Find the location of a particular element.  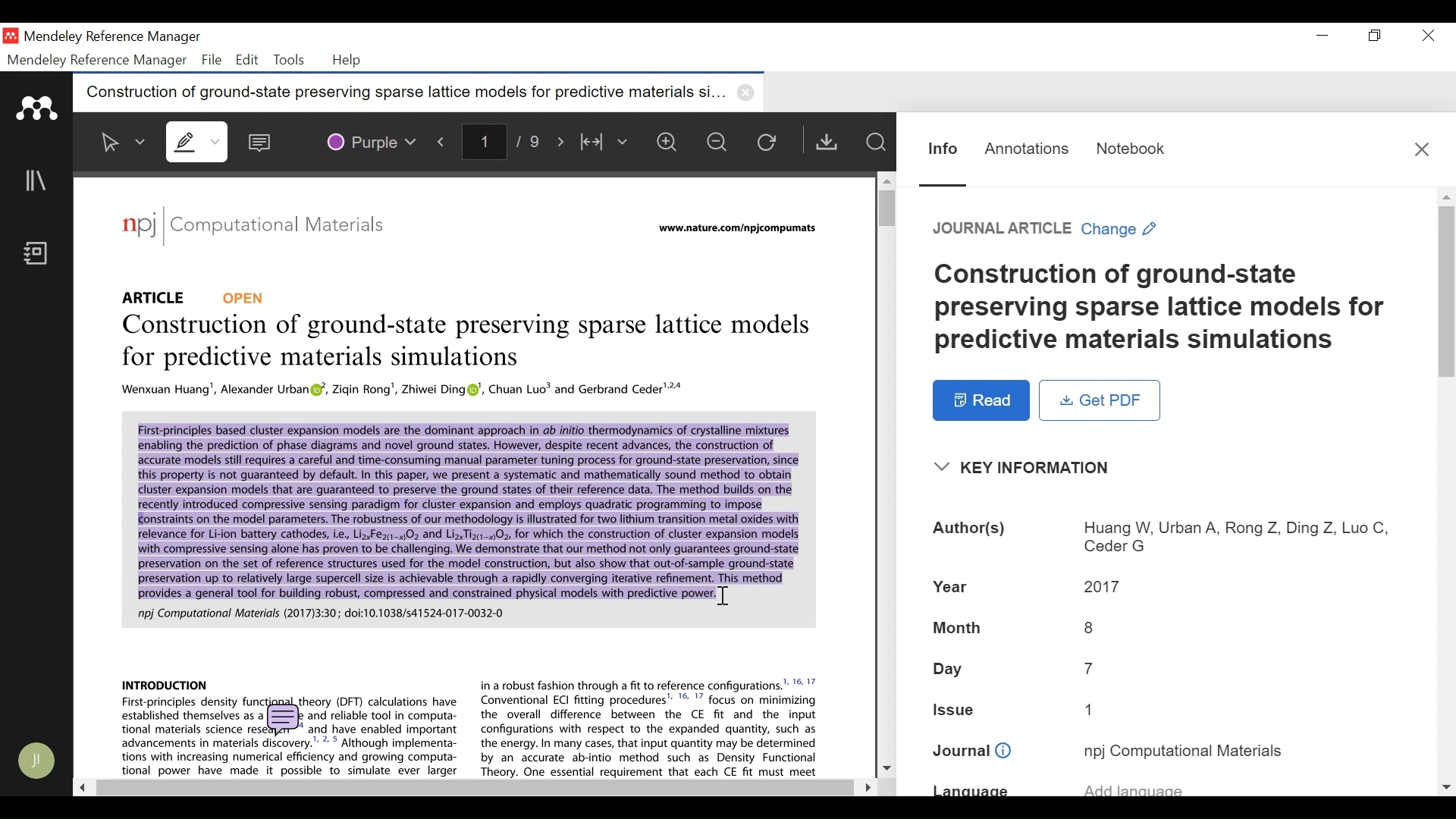

Month is located at coordinates (958, 629).